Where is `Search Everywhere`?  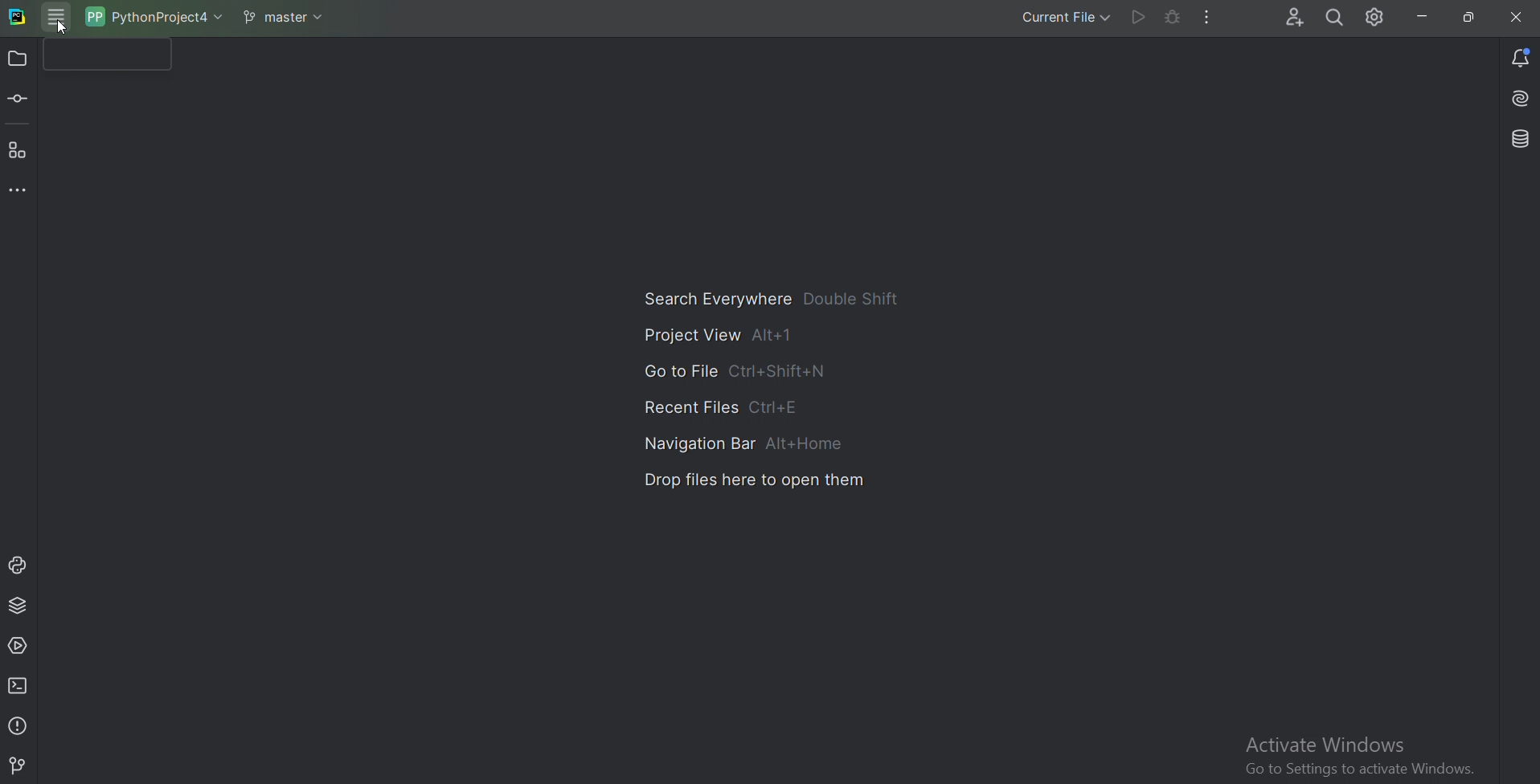 Search Everywhere is located at coordinates (777, 300).